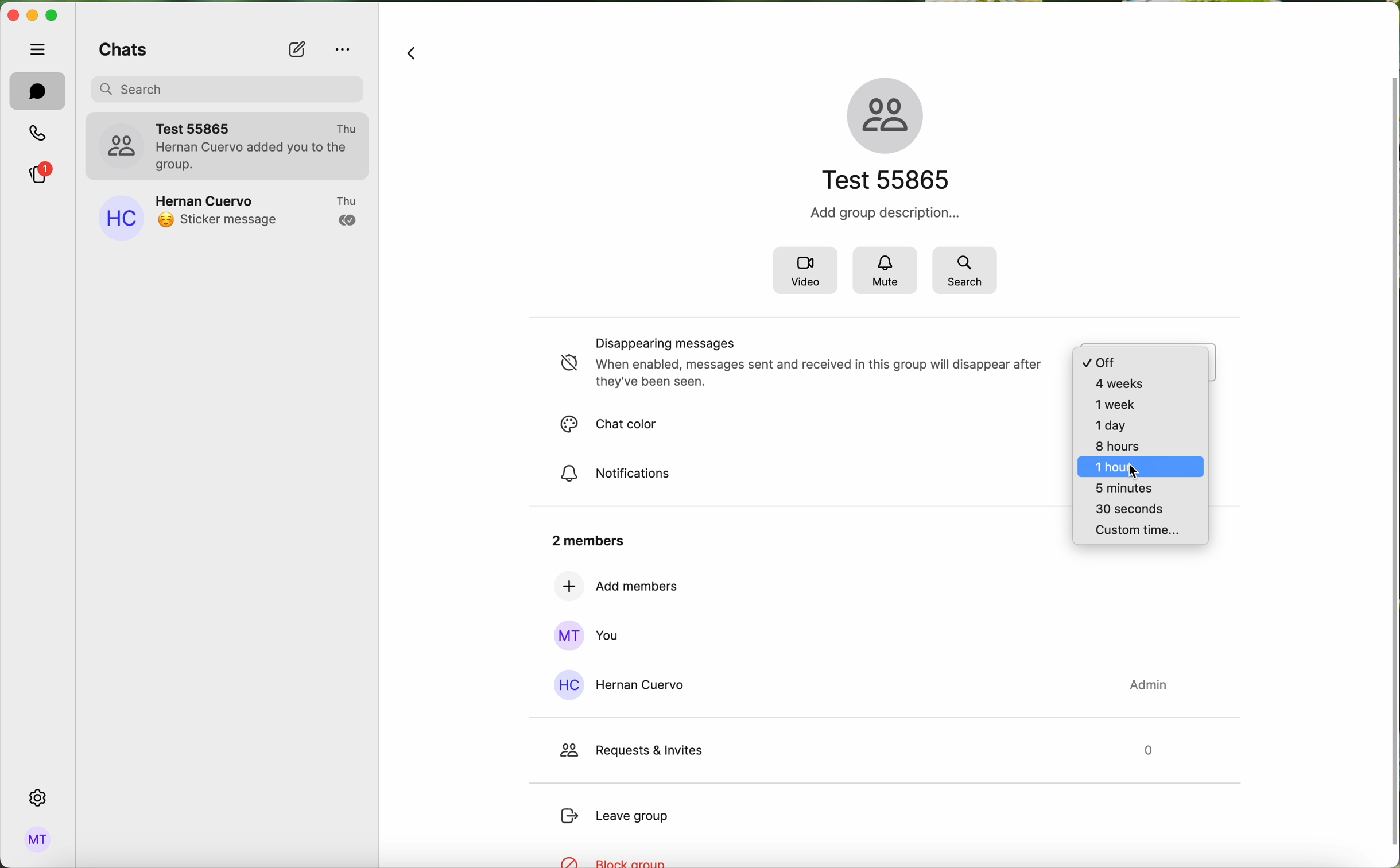 The image size is (1400, 868). I want to click on block group, so click(619, 862).